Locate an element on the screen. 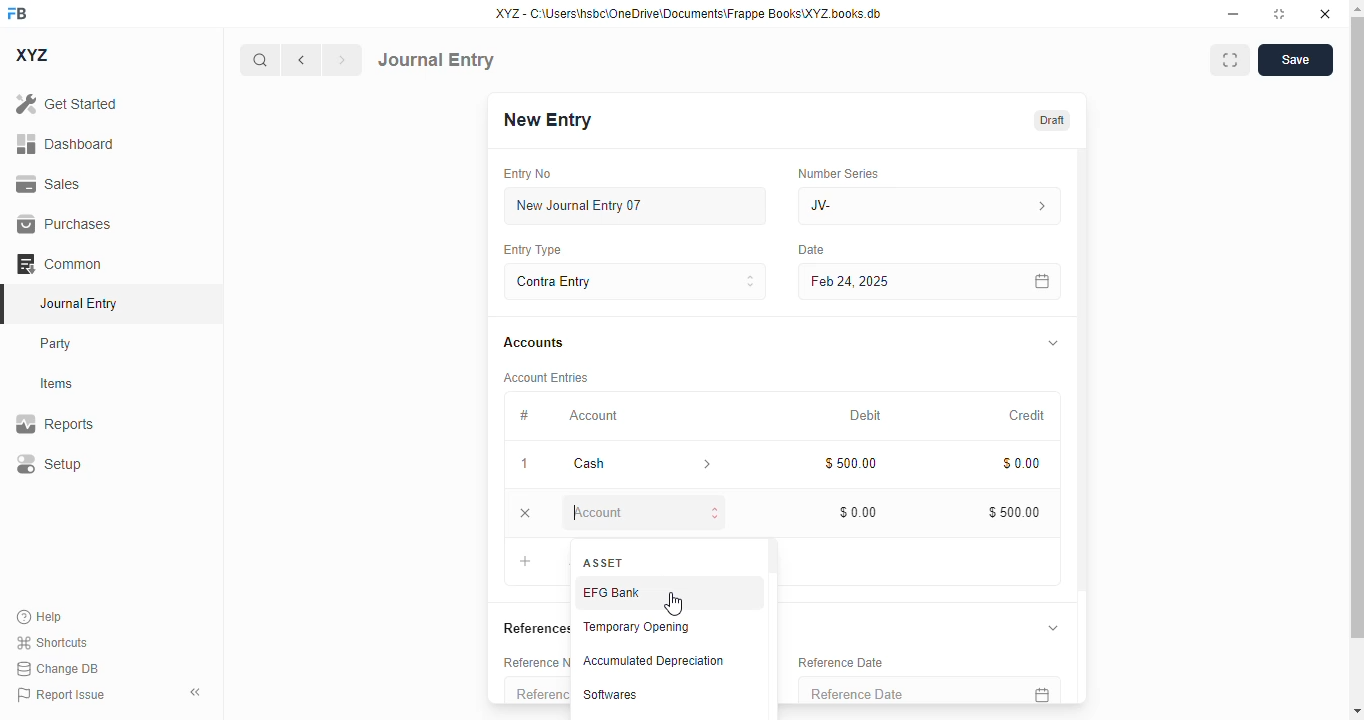  scroll bar is located at coordinates (1355, 357).